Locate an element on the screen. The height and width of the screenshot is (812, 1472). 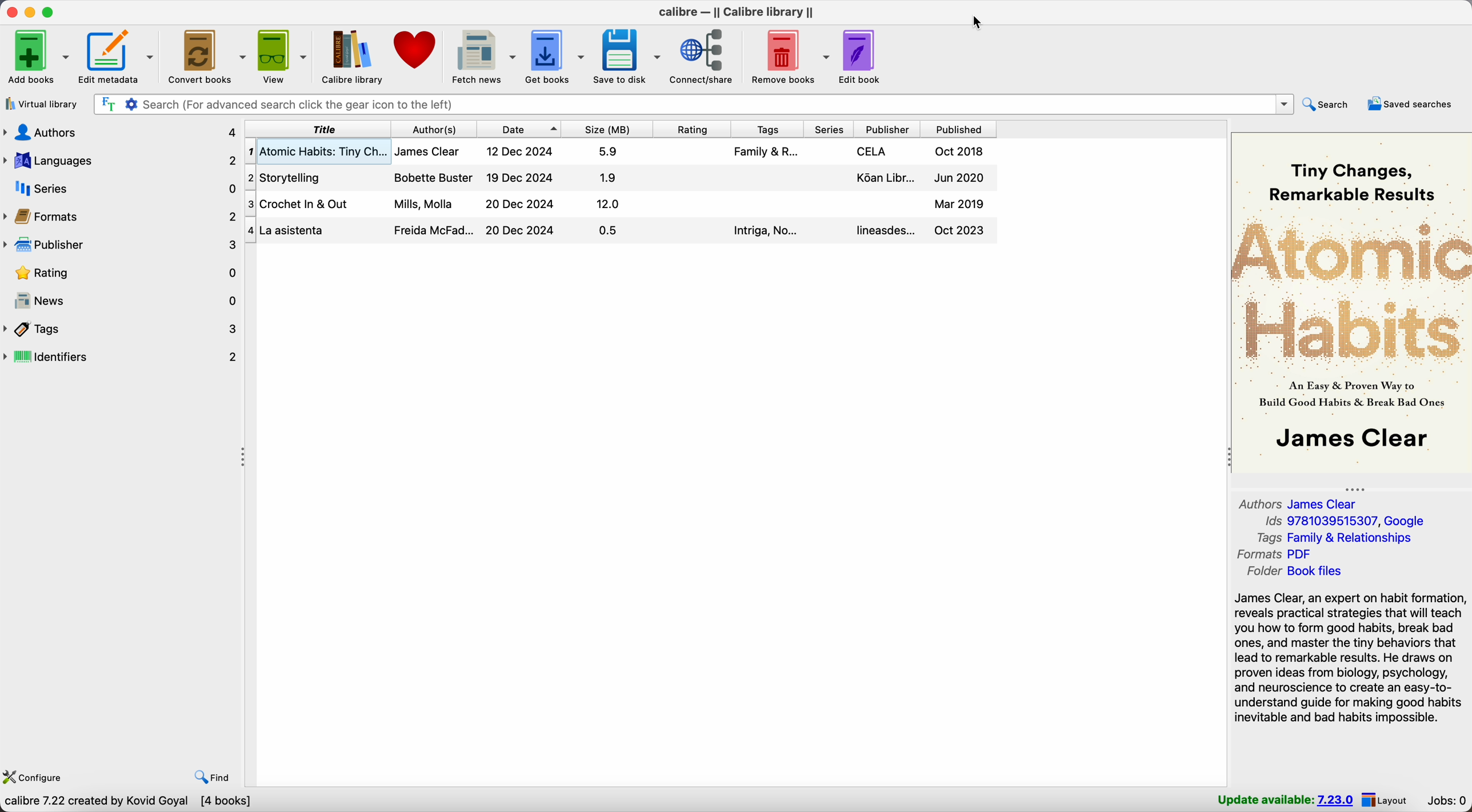
Ids 9781039515307, Google is located at coordinates (1346, 519).